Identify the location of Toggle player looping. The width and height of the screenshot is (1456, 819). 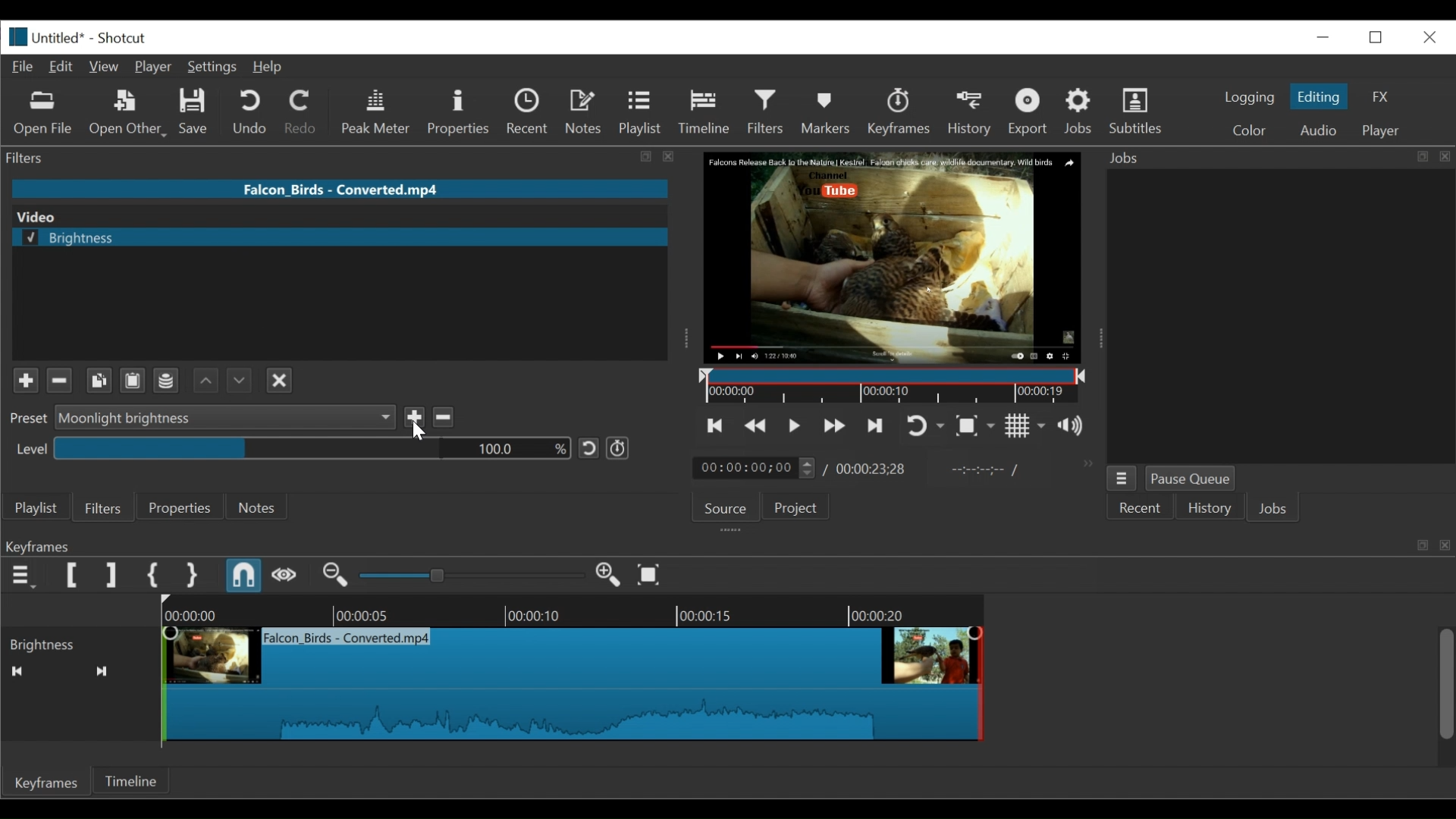
(923, 427).